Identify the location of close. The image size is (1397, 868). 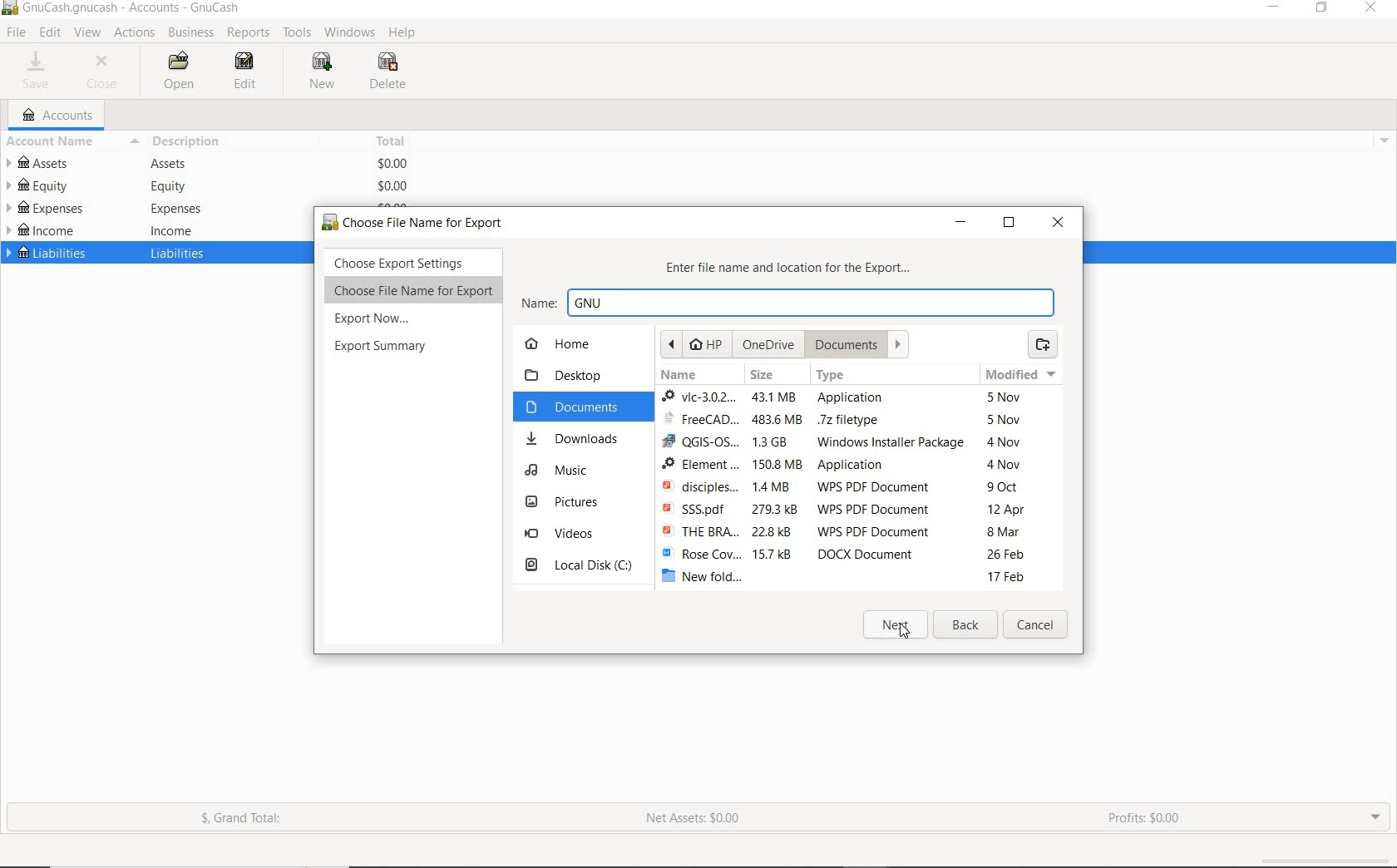
(1051, 219).